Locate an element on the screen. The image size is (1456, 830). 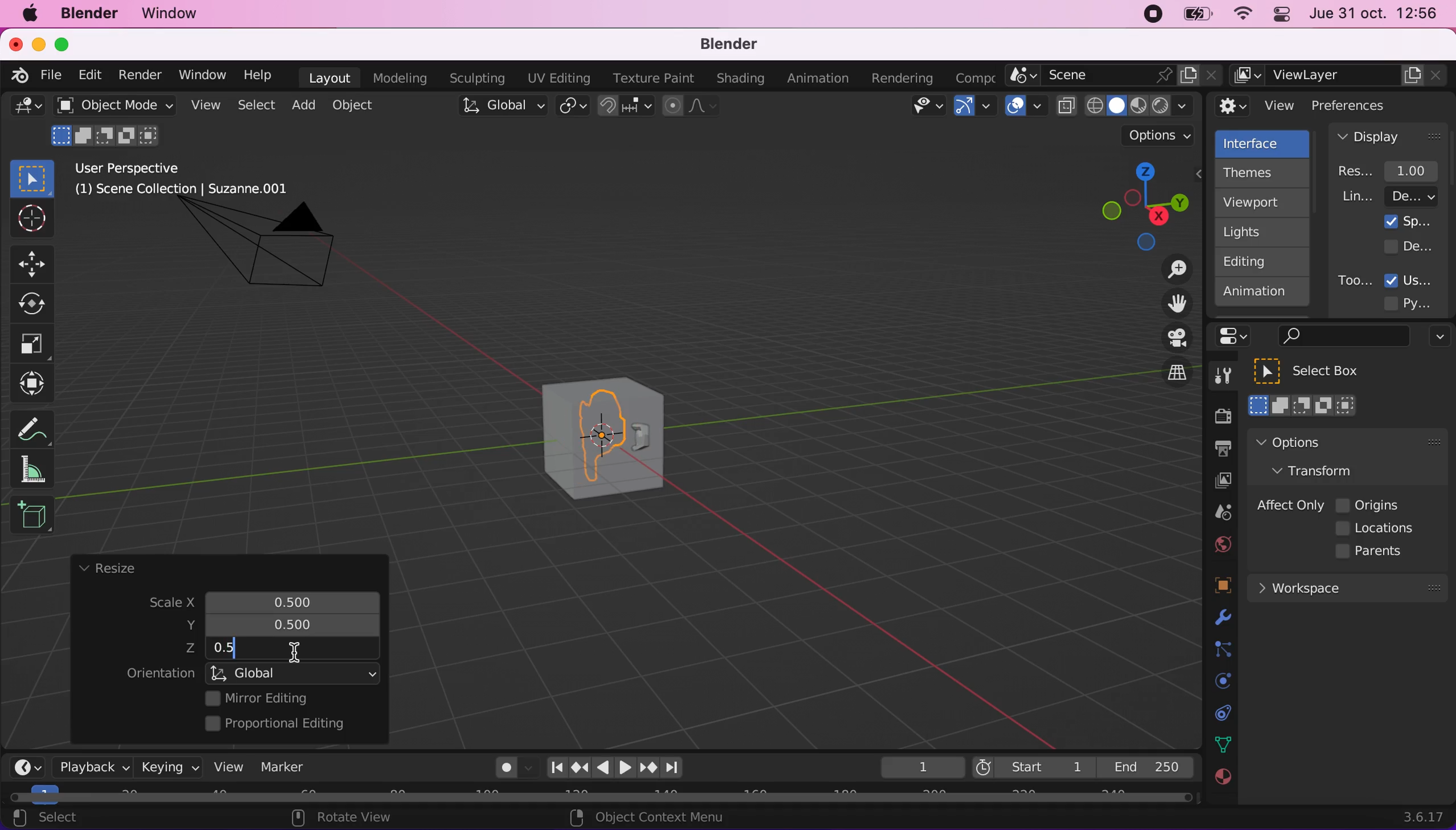
sculpting is located at coordinates (474, 78).